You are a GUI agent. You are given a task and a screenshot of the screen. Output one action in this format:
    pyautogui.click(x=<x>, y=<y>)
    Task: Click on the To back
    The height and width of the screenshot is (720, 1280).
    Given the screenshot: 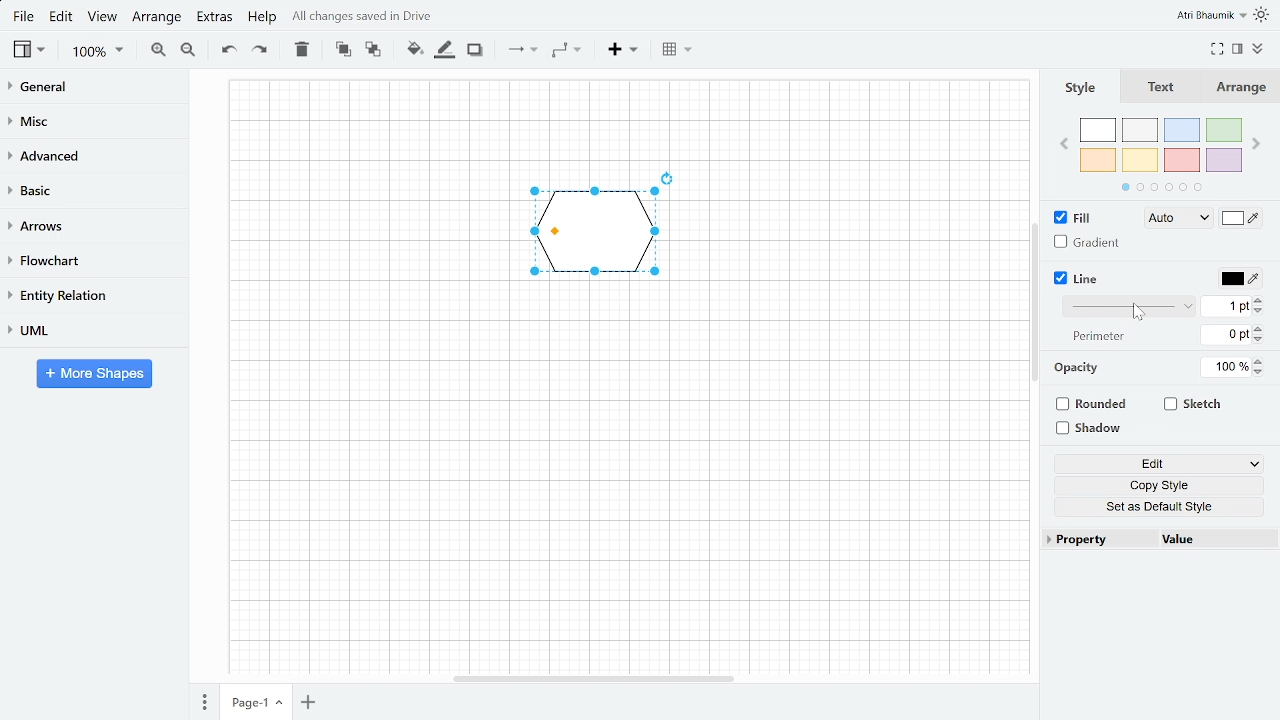 What is the action you would take?
    pyautogui.click(x=374, y=51)
    